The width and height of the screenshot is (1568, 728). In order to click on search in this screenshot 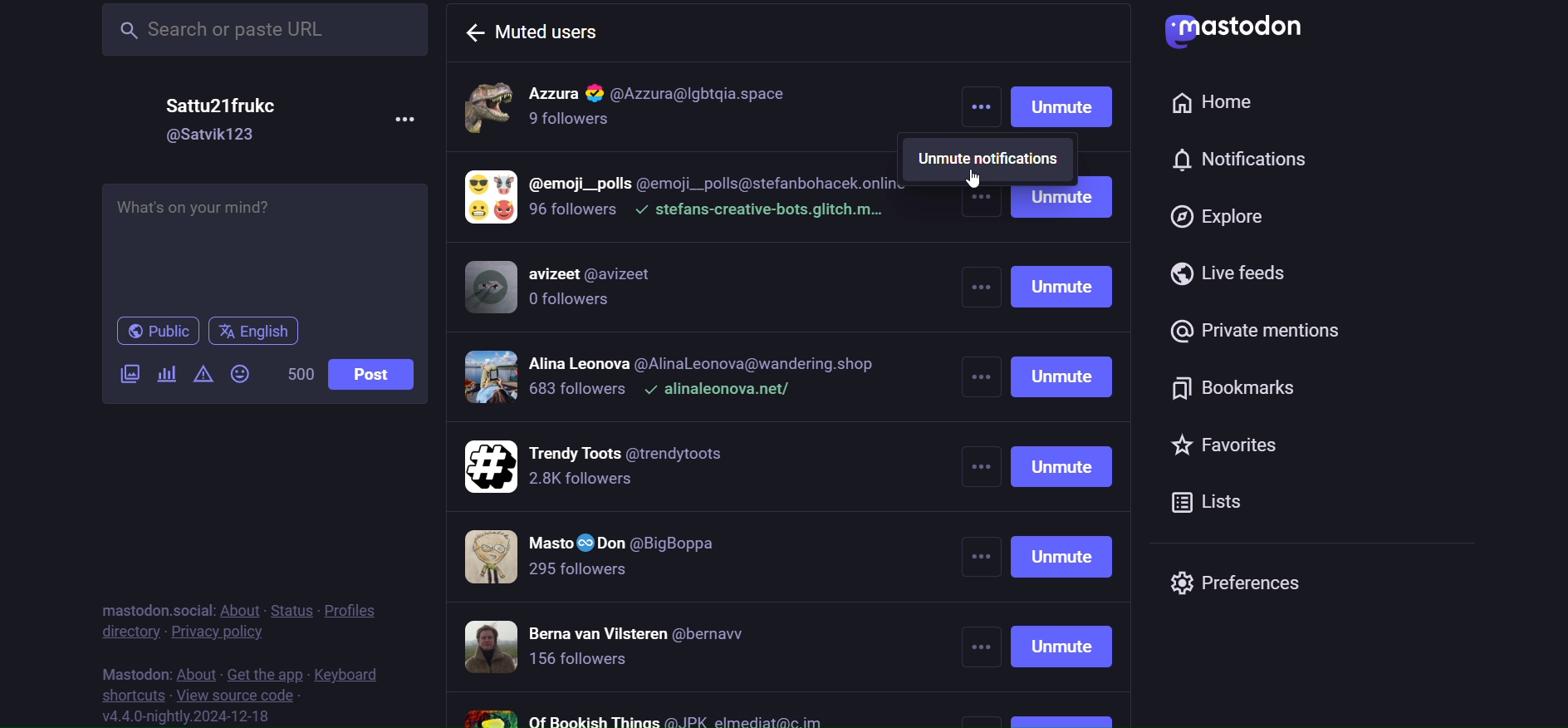, I will do `click(267, 32)`.